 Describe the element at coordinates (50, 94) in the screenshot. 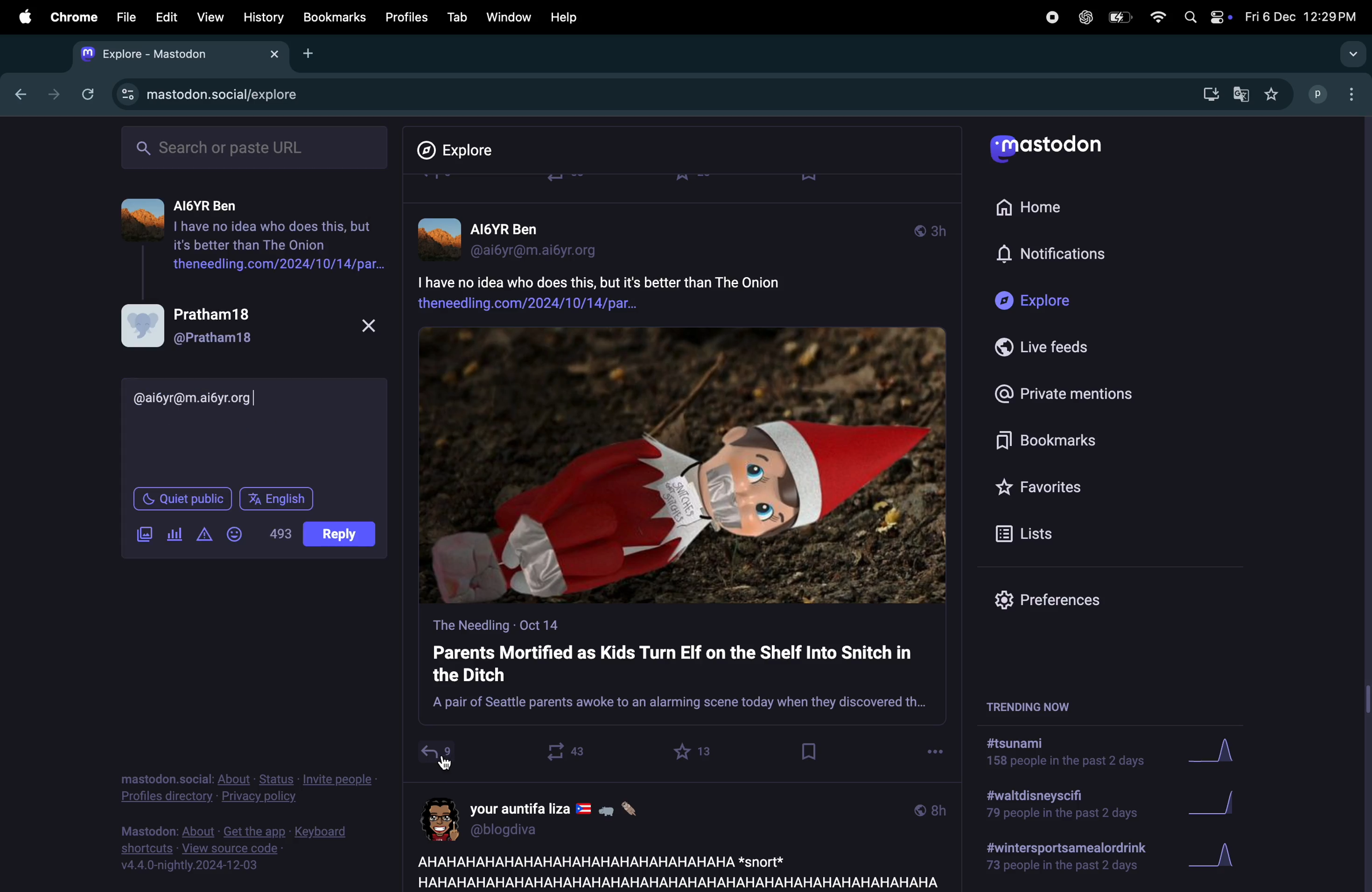

I see `forward` at that location.